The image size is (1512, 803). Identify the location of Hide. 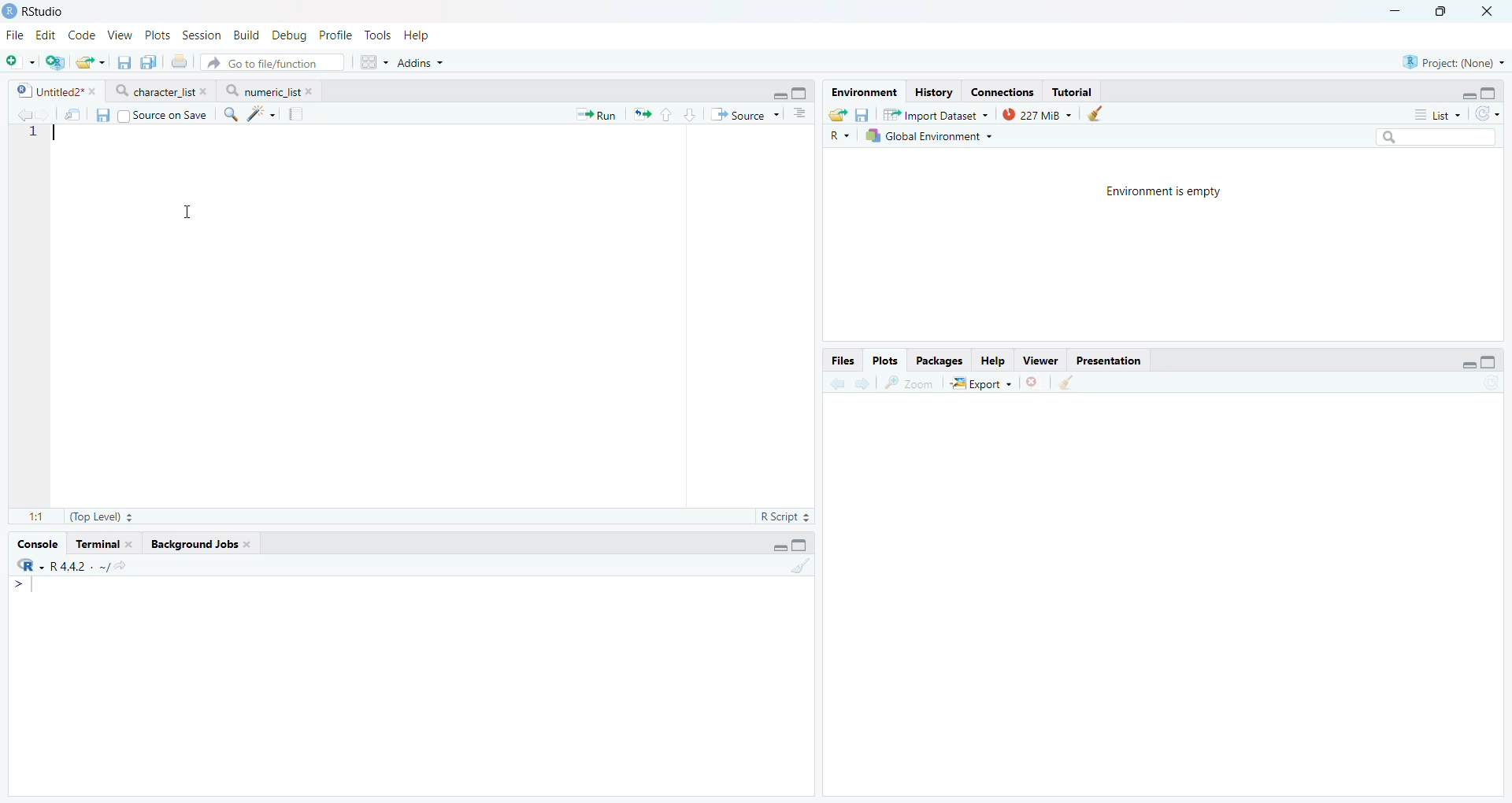
(778, 547).